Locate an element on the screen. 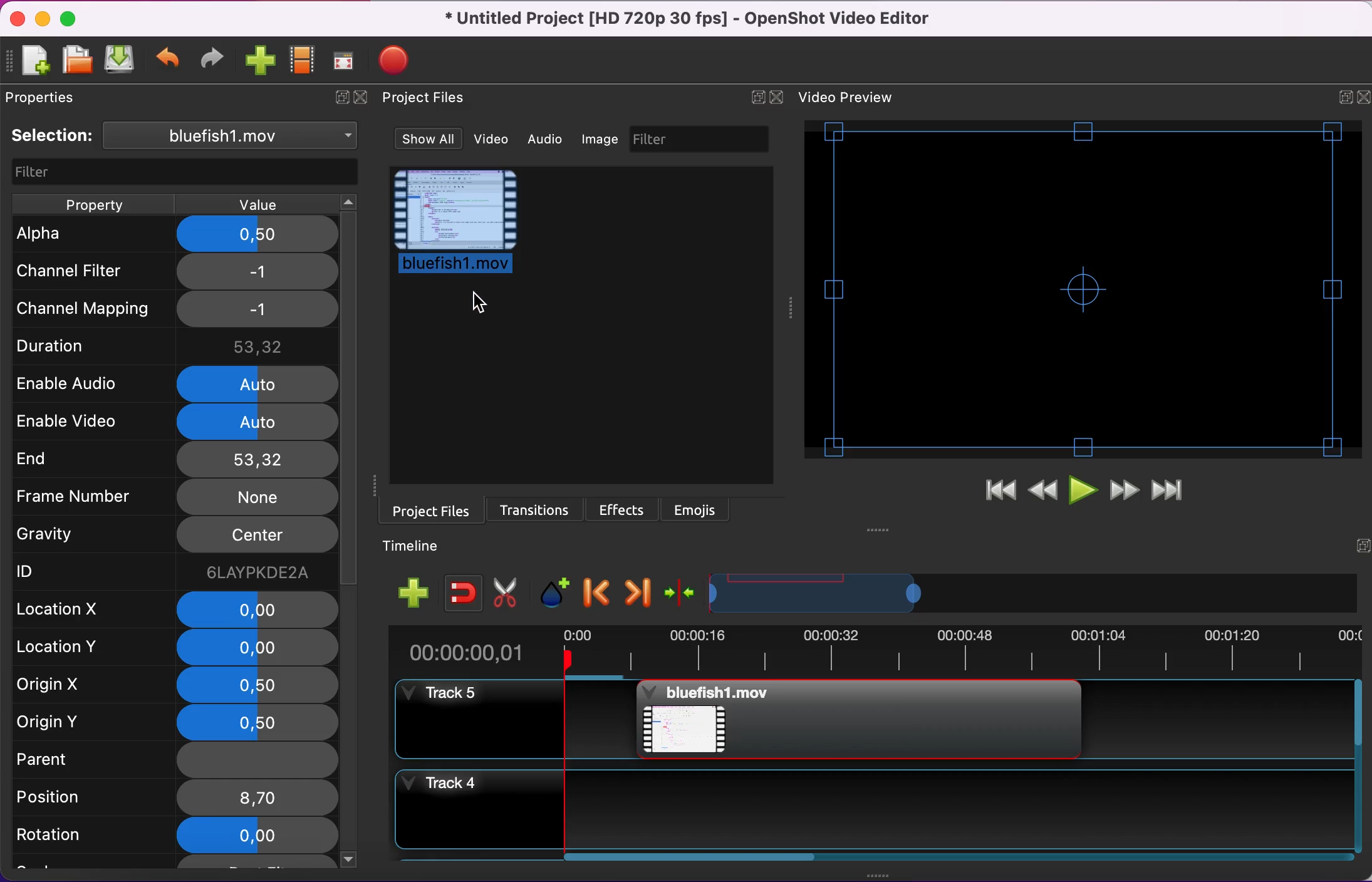  track 4 is located at coordinates (872, 809).